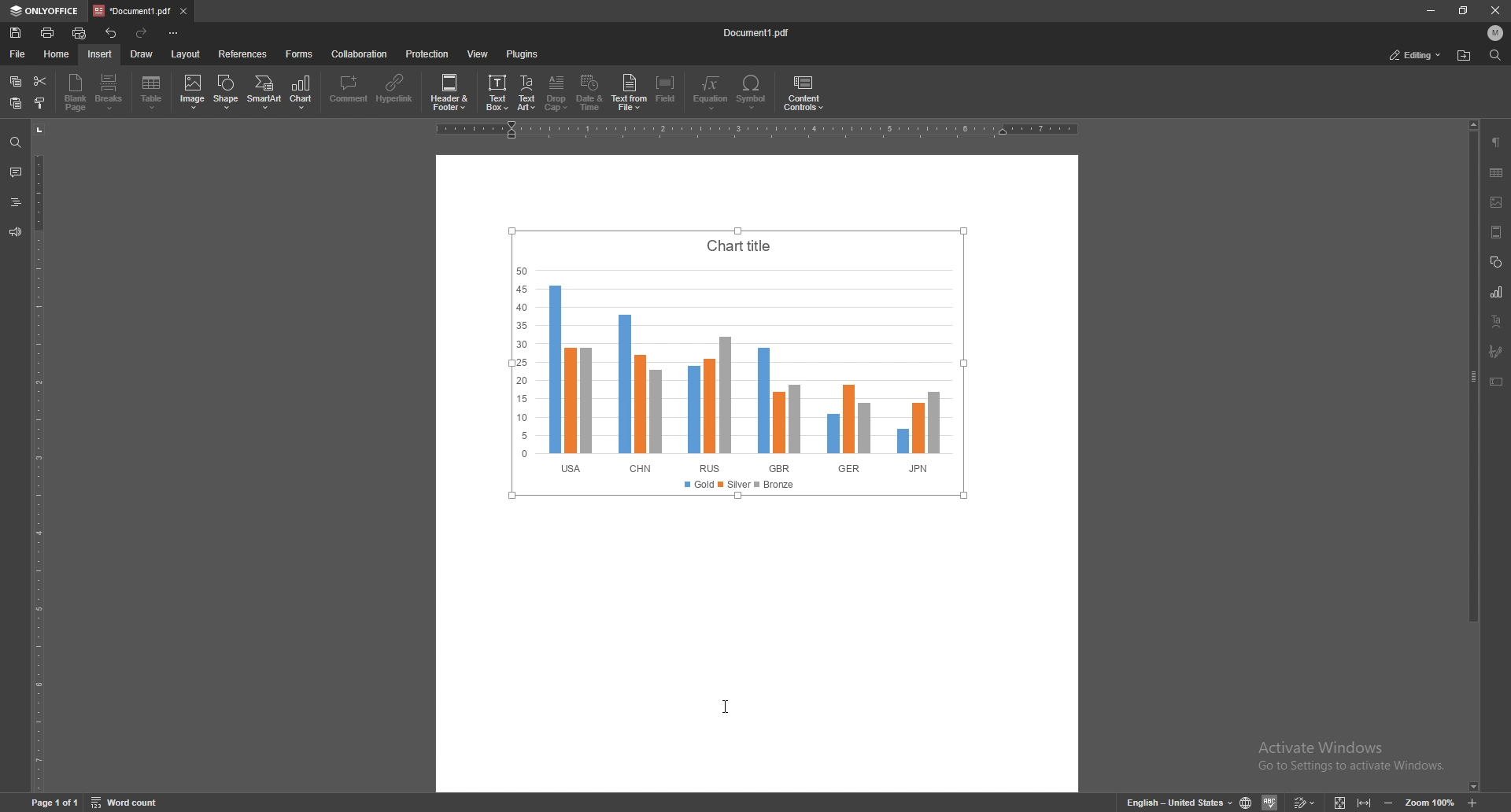 Image resolution: width=1511 pixels, height=812 pixels. I want to click on minimize, so click(1386, 803).